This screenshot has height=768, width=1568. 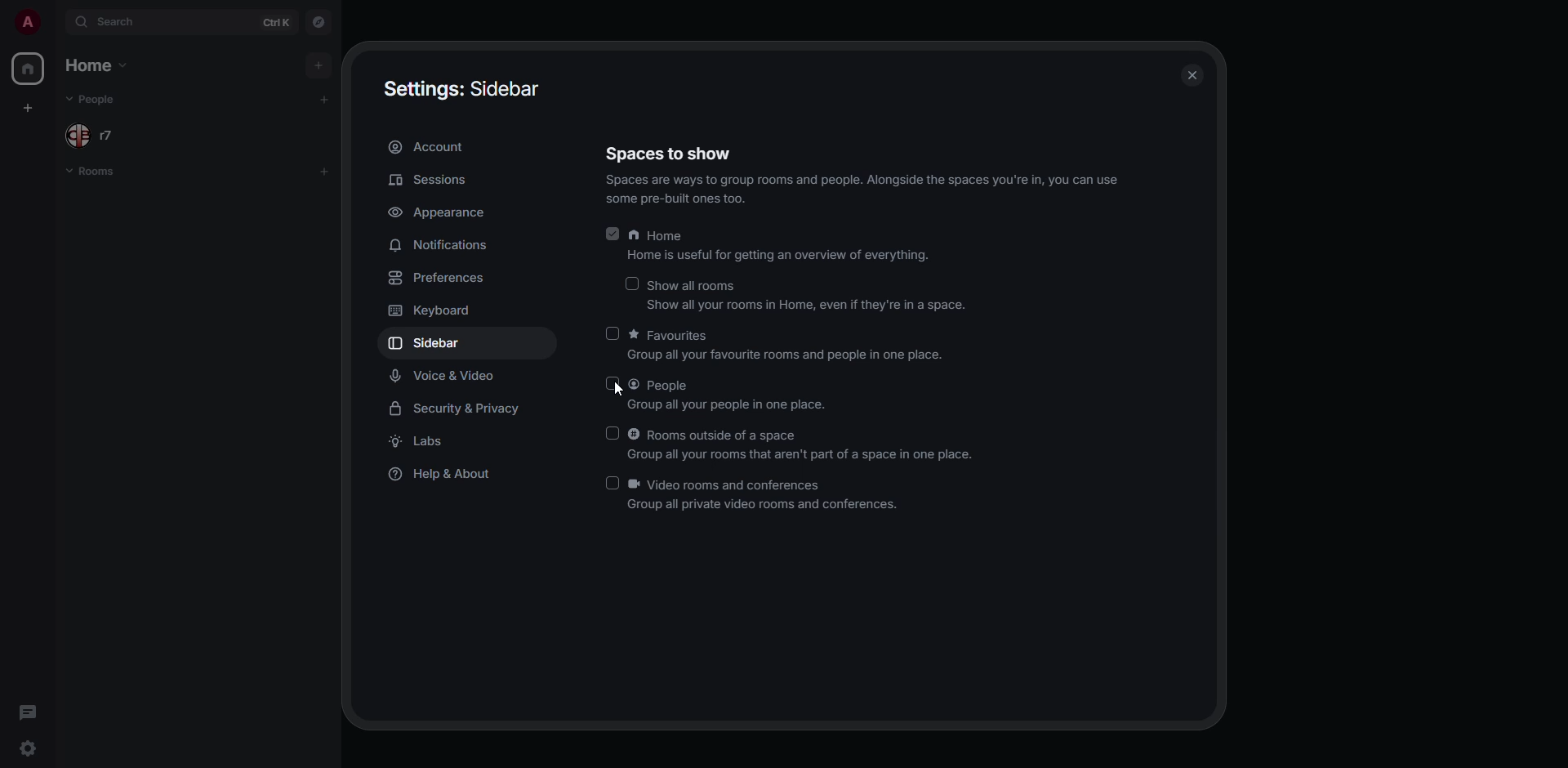 I want to click on sidebar, so click(x=441, y=345).